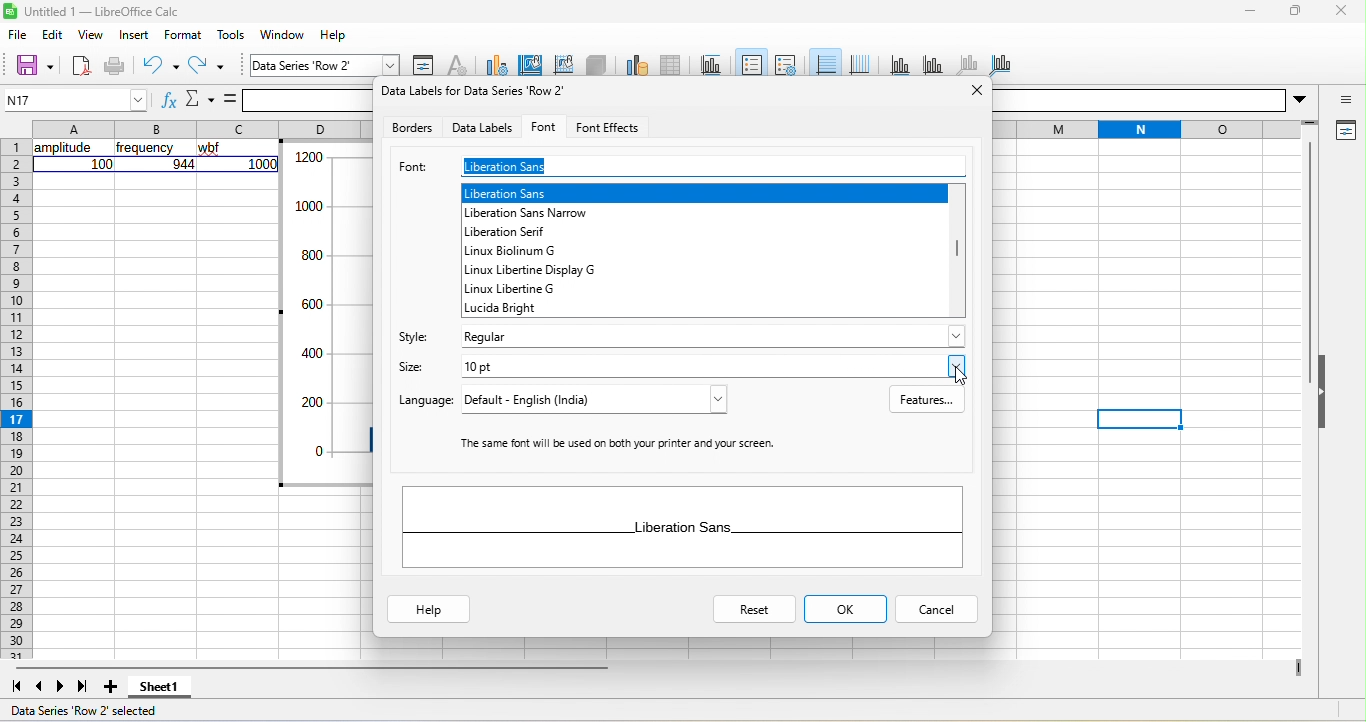 The height and width of the screenshot is (722, 1366). What do you see at coordinates (750, 62) in the screenshot?
I see `legend on/off` at bounding box center [750, 62].